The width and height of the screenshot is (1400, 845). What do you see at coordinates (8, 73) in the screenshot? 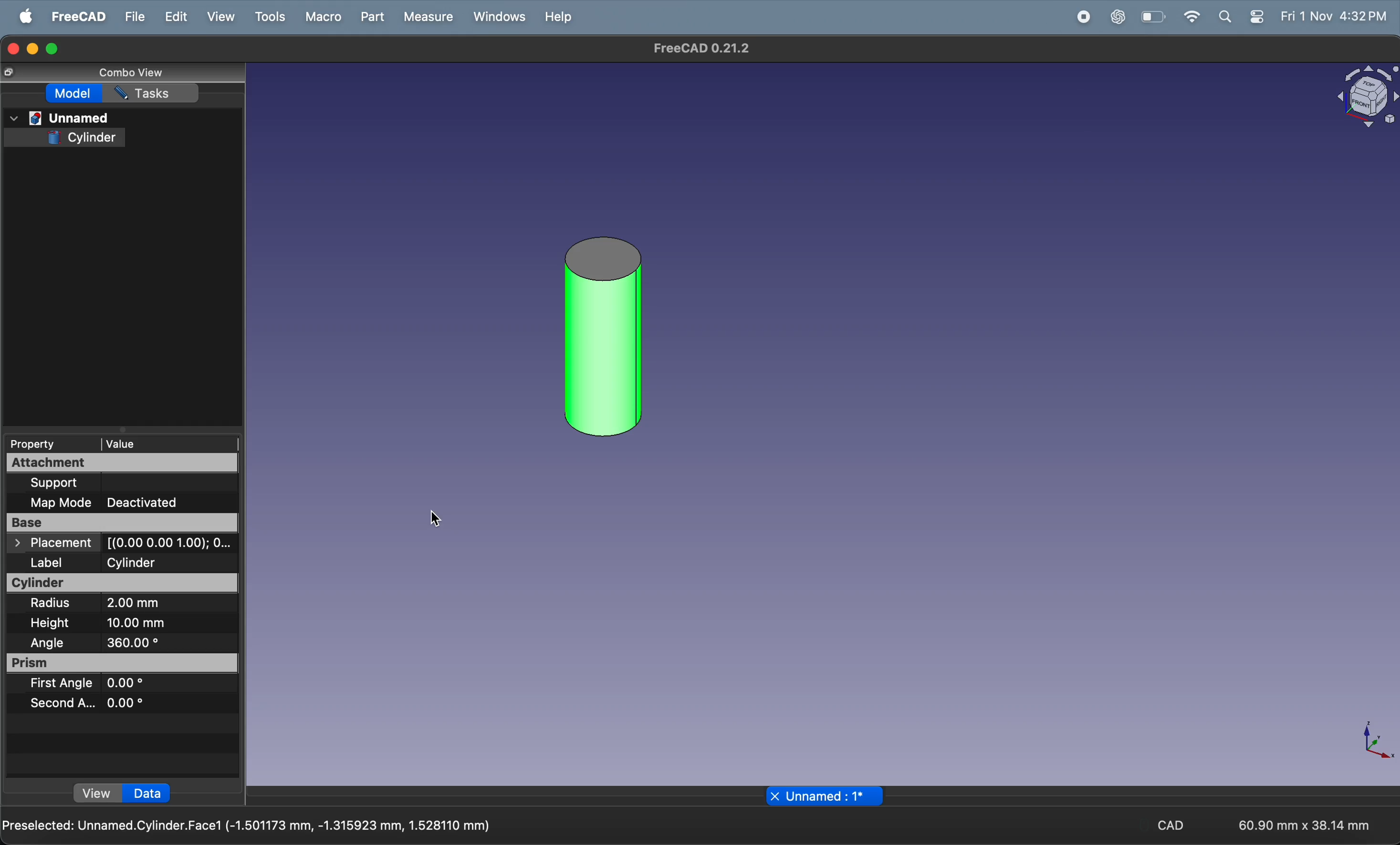
I see `copy` at bounding box center [8, 73].